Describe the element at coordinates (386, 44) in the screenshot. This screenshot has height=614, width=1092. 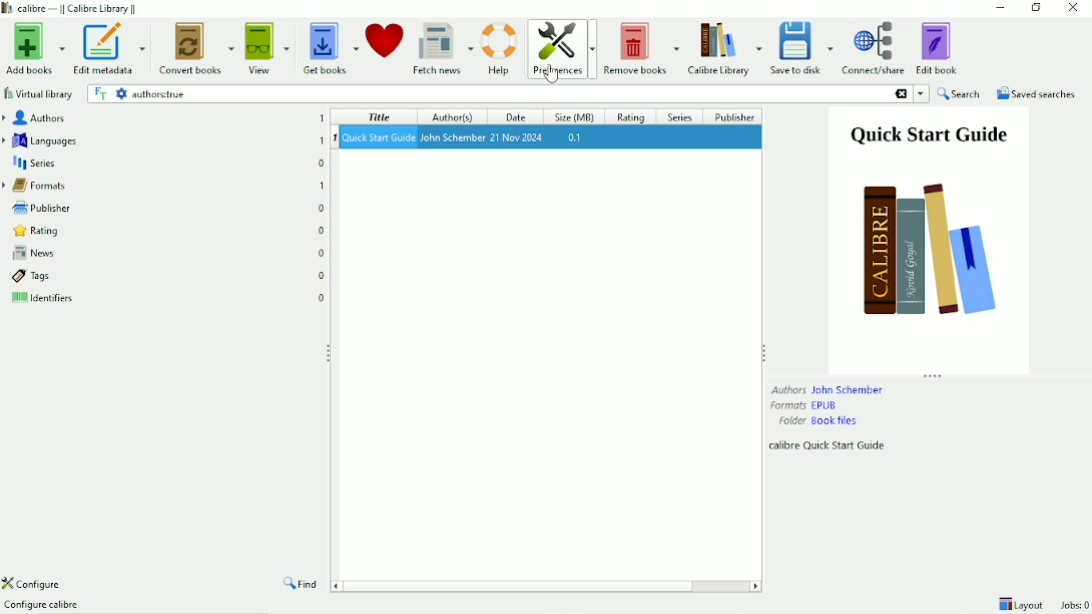
I see `Donate` at that location.